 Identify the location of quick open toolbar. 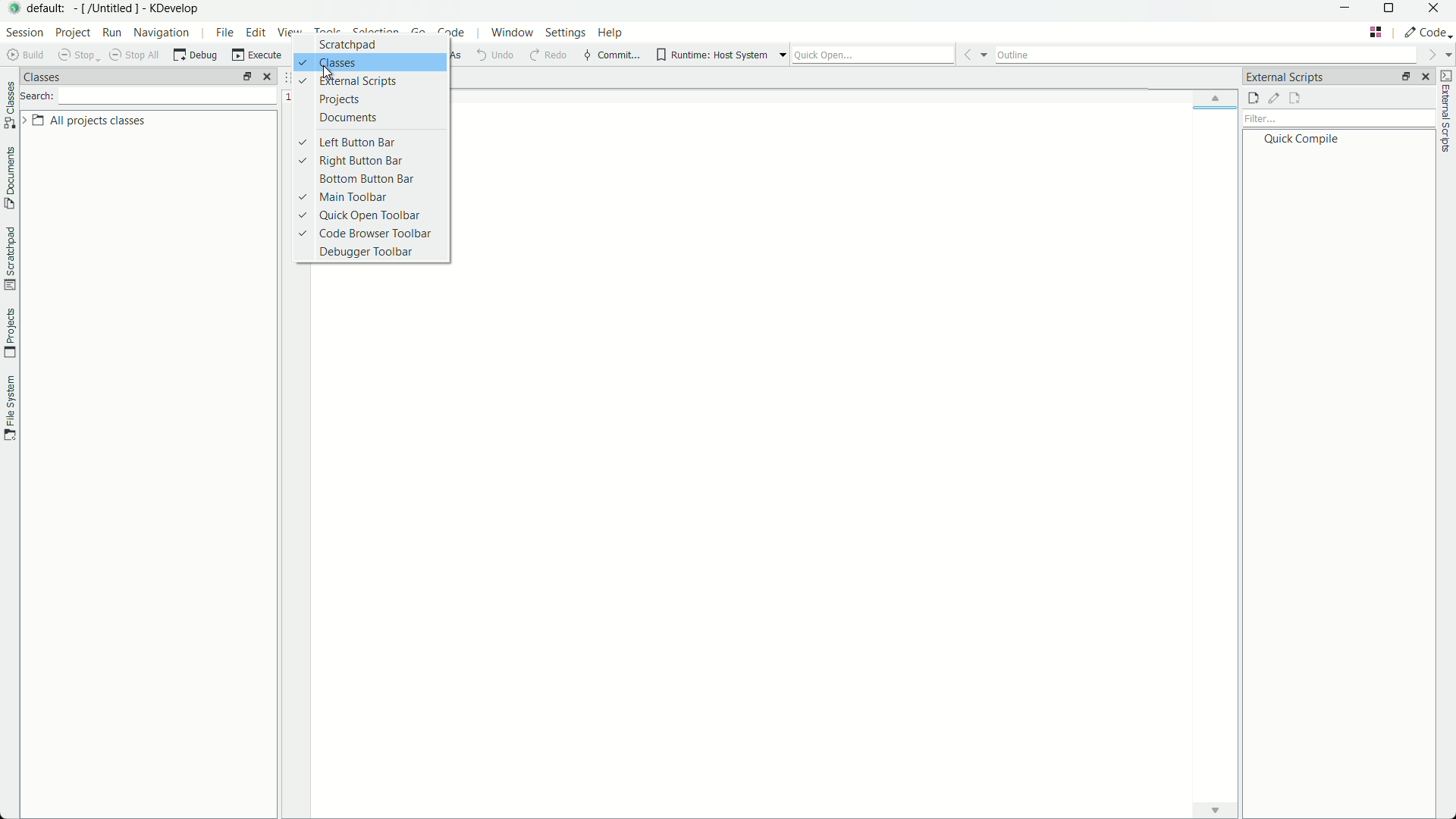
(367, 215).